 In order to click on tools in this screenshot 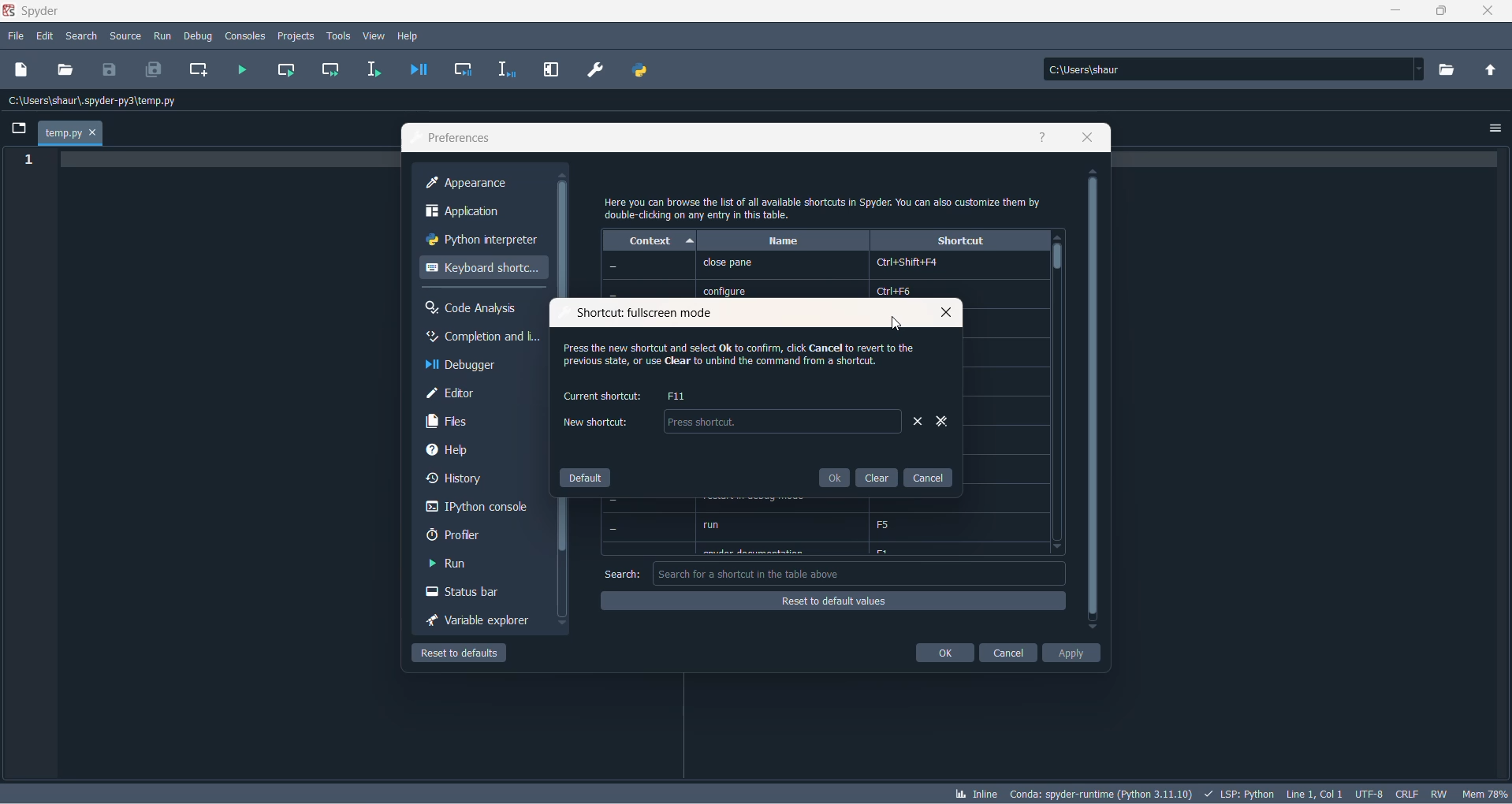, I will do `click(339, 35)`.